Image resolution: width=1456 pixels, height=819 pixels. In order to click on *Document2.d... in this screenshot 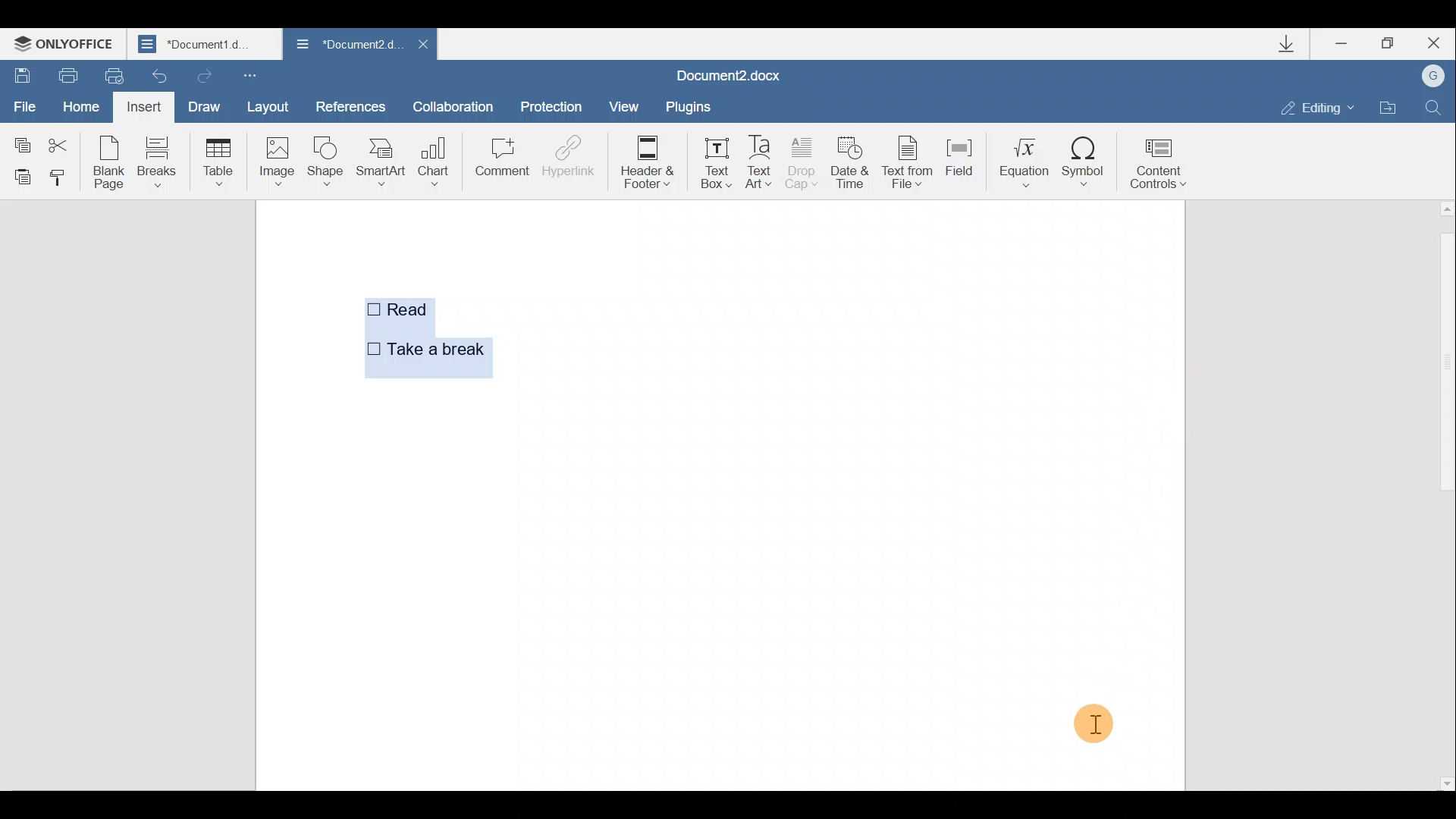, I will do `click(345, 45)`.